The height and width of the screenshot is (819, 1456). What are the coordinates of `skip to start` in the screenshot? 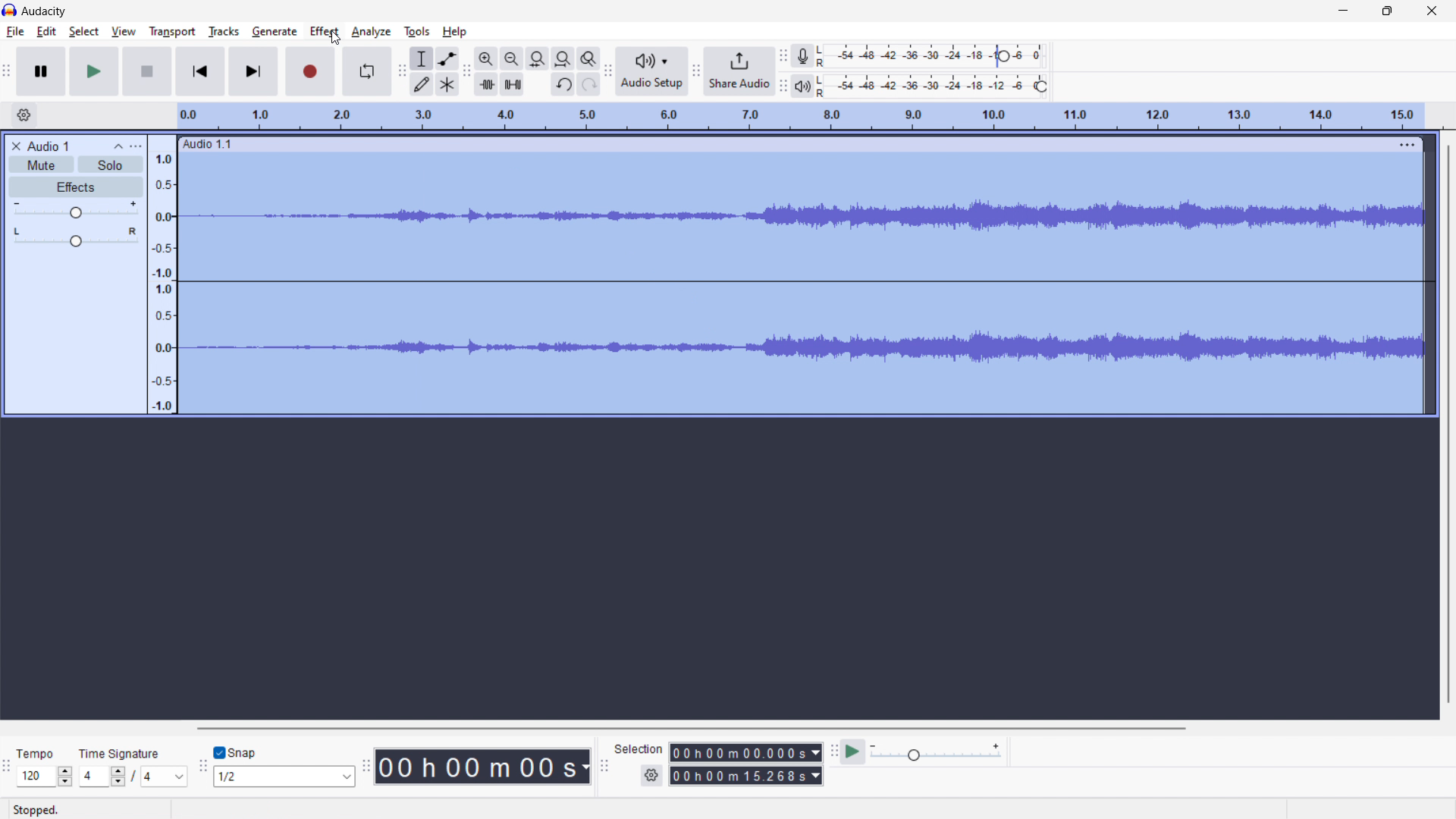 It's located at (199, 71).